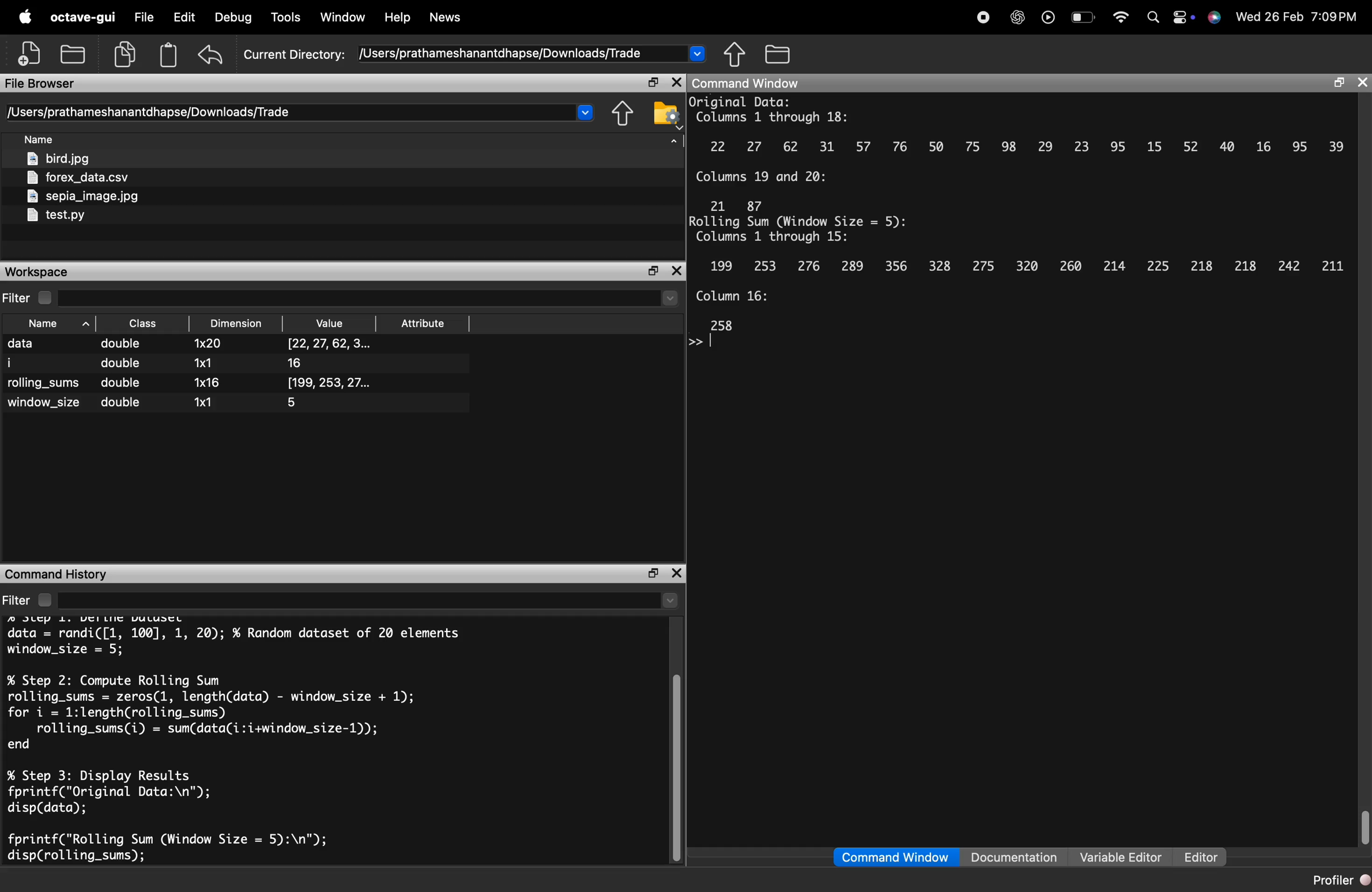  What do you see at coordinates (108, 190) in the screenshot?
I see `files` at bounding box center [108, 190].